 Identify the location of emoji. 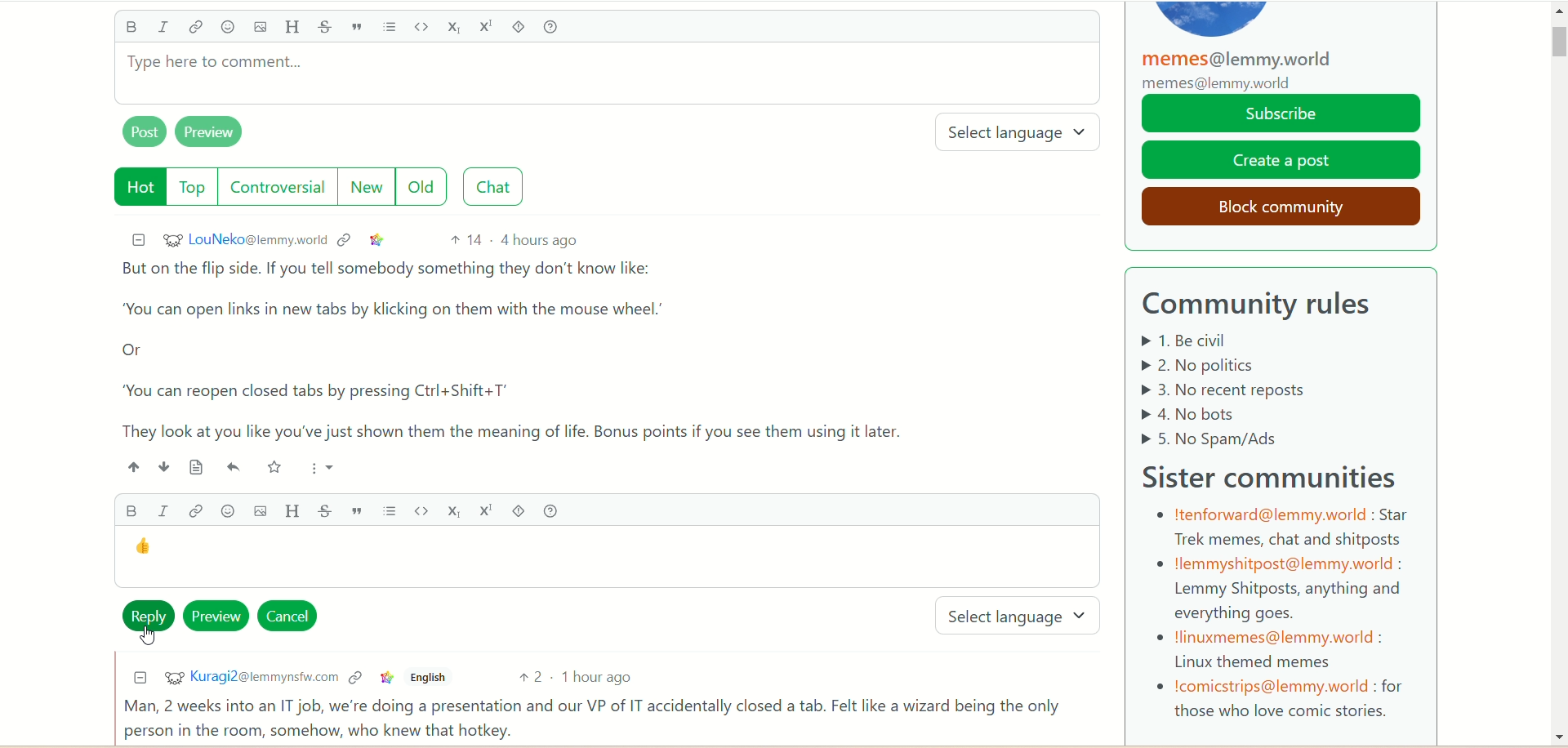
(232, 470).